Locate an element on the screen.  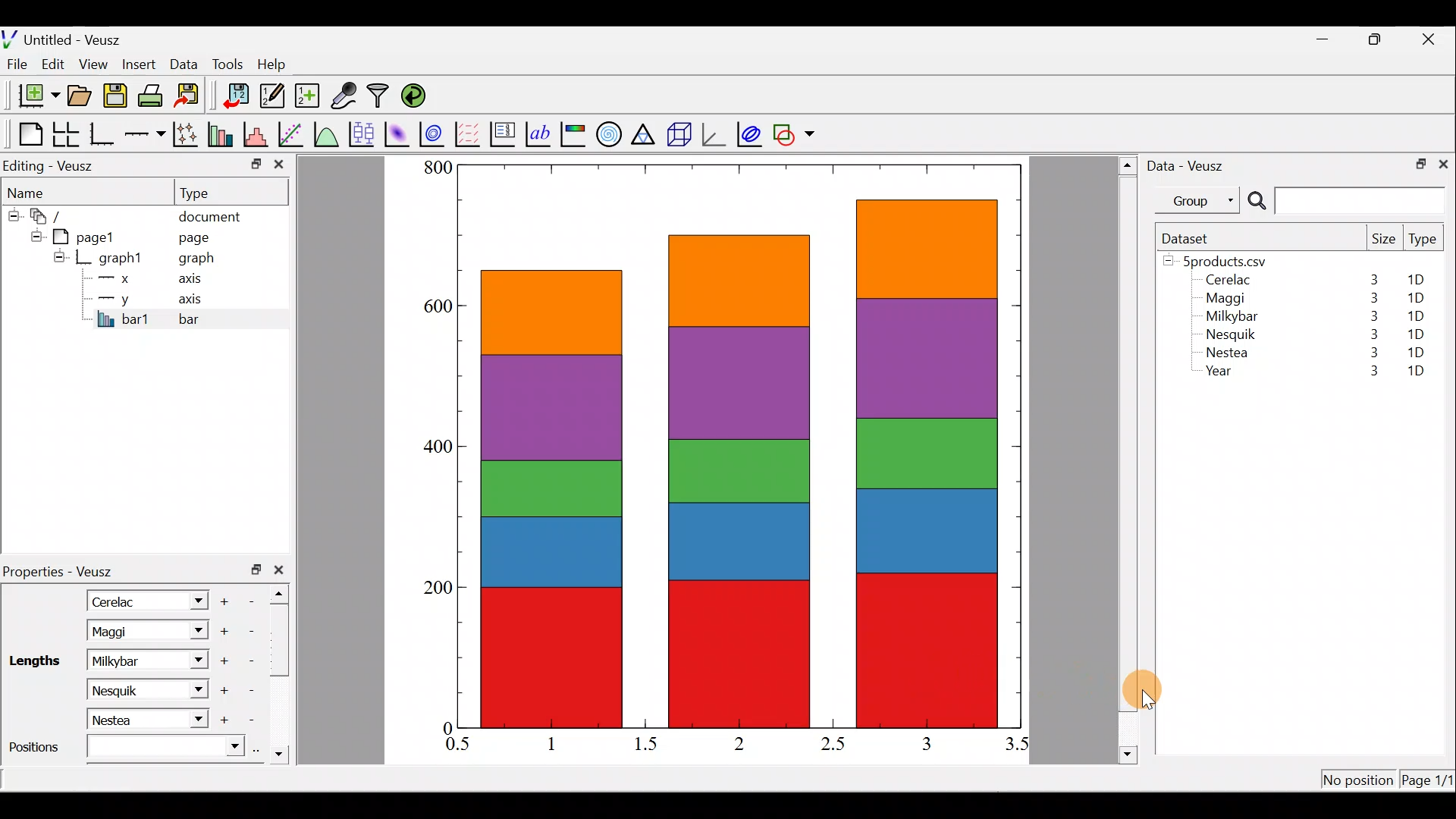
Create new dataset using ranges, parametrically, or as functions of existing datasets. is located at coordinates (309, 96).